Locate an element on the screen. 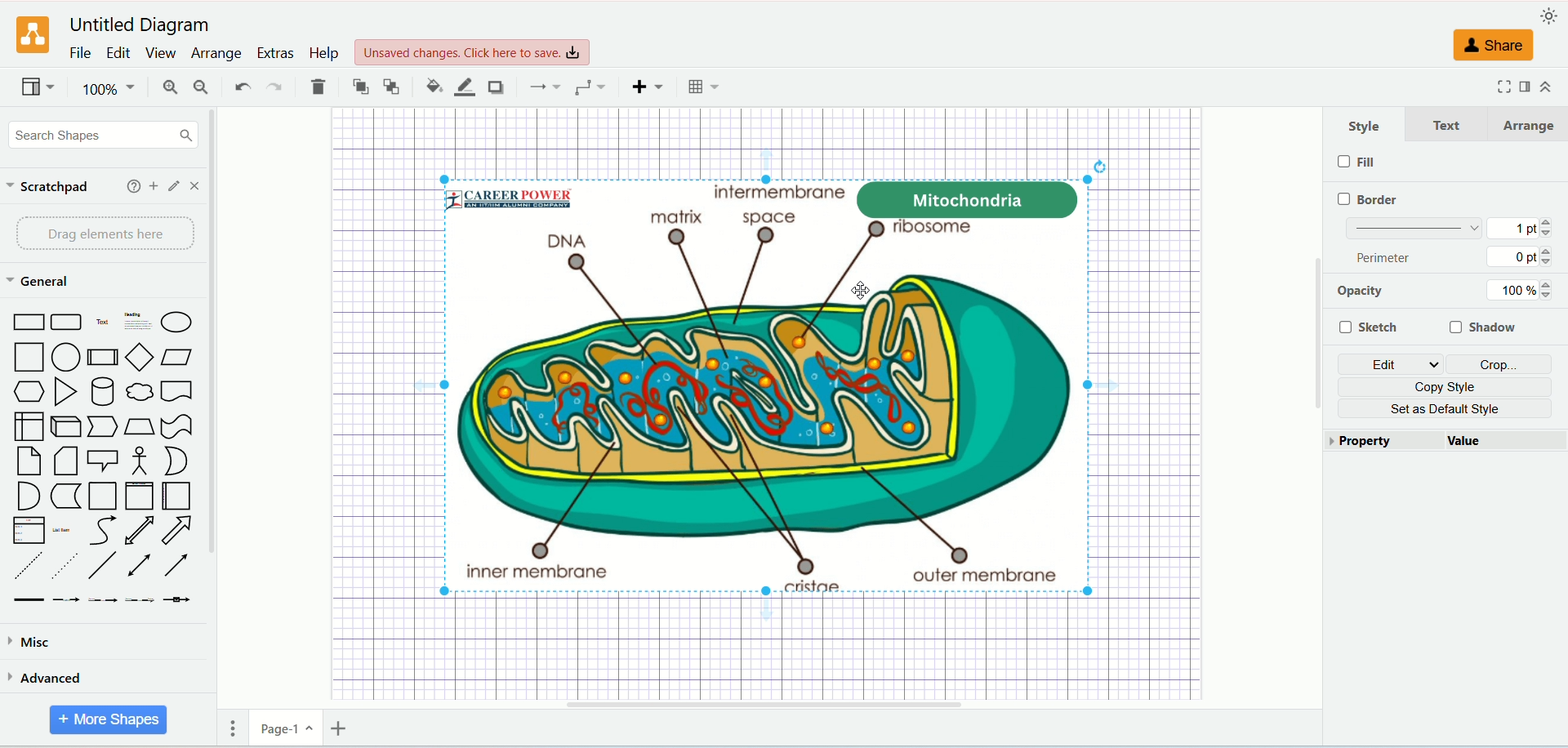  search shapes is located at coordinates (104, 136).